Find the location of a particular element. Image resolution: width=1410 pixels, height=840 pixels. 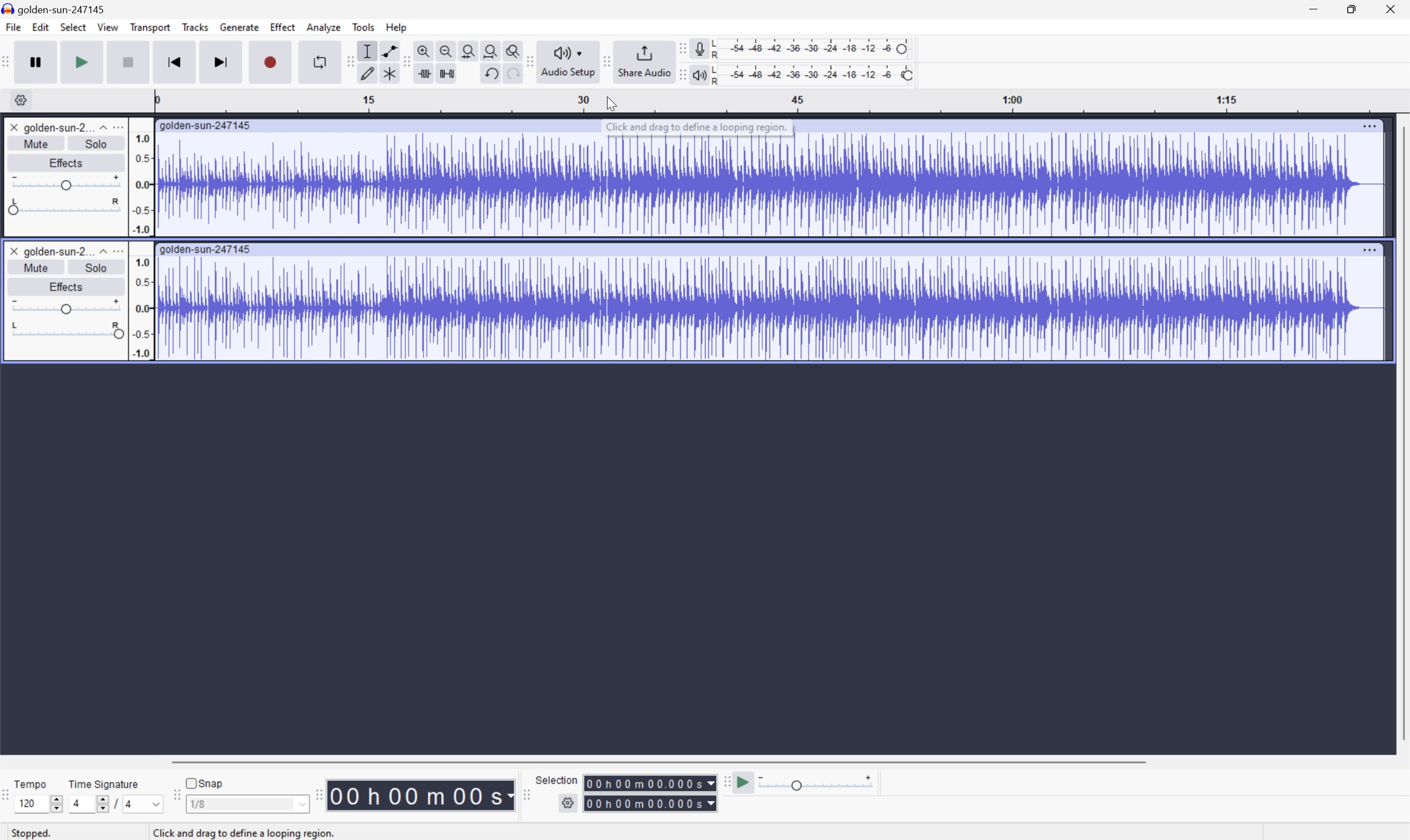

Audacity recording meter toolbar is located at coordinates (678, 47).